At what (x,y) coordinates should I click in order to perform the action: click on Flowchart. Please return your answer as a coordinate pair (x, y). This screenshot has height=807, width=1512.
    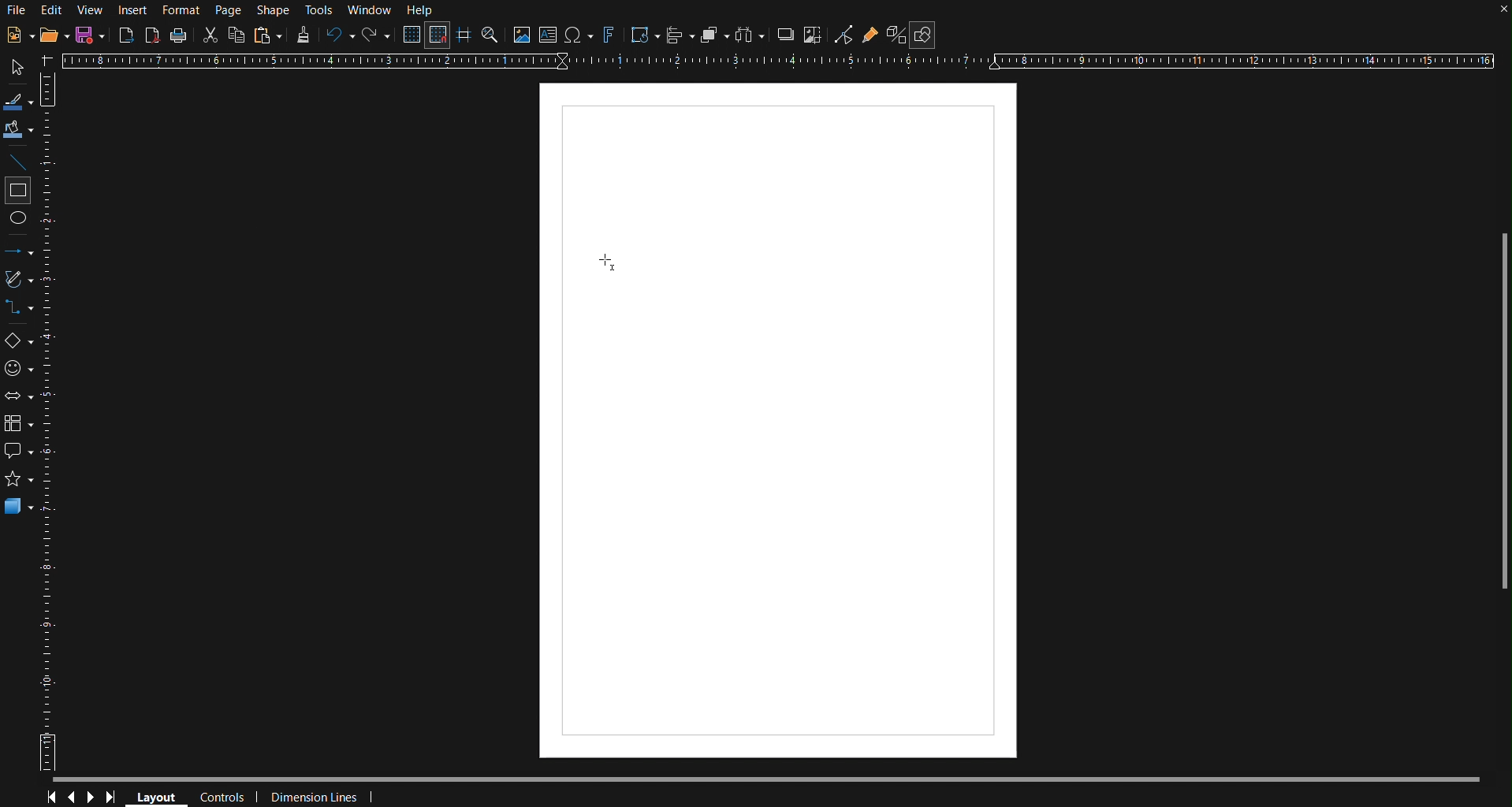
    Looking at the image, I should click on (20, 426).